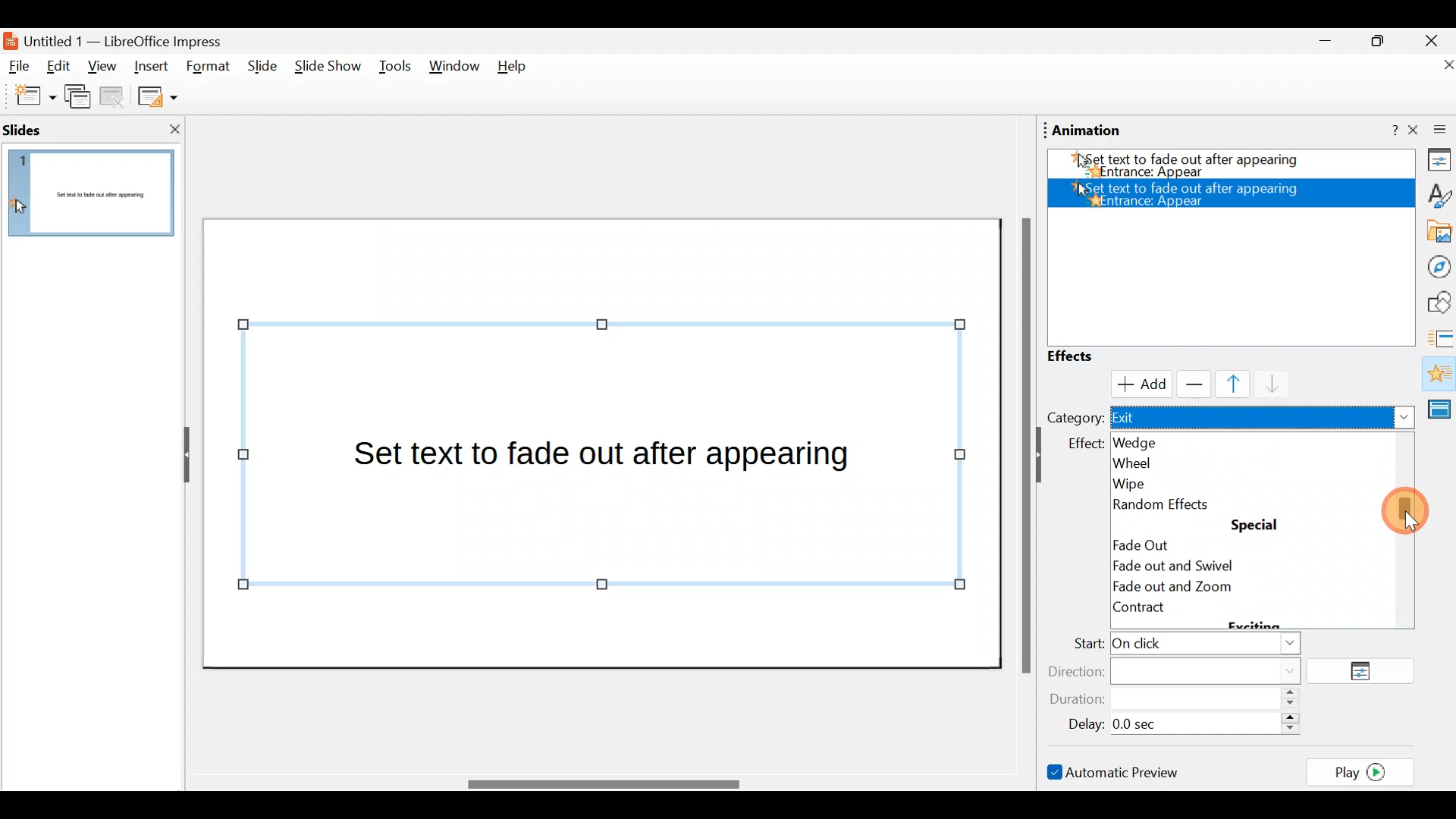  I want to click on Contract, so click(1174, 613).